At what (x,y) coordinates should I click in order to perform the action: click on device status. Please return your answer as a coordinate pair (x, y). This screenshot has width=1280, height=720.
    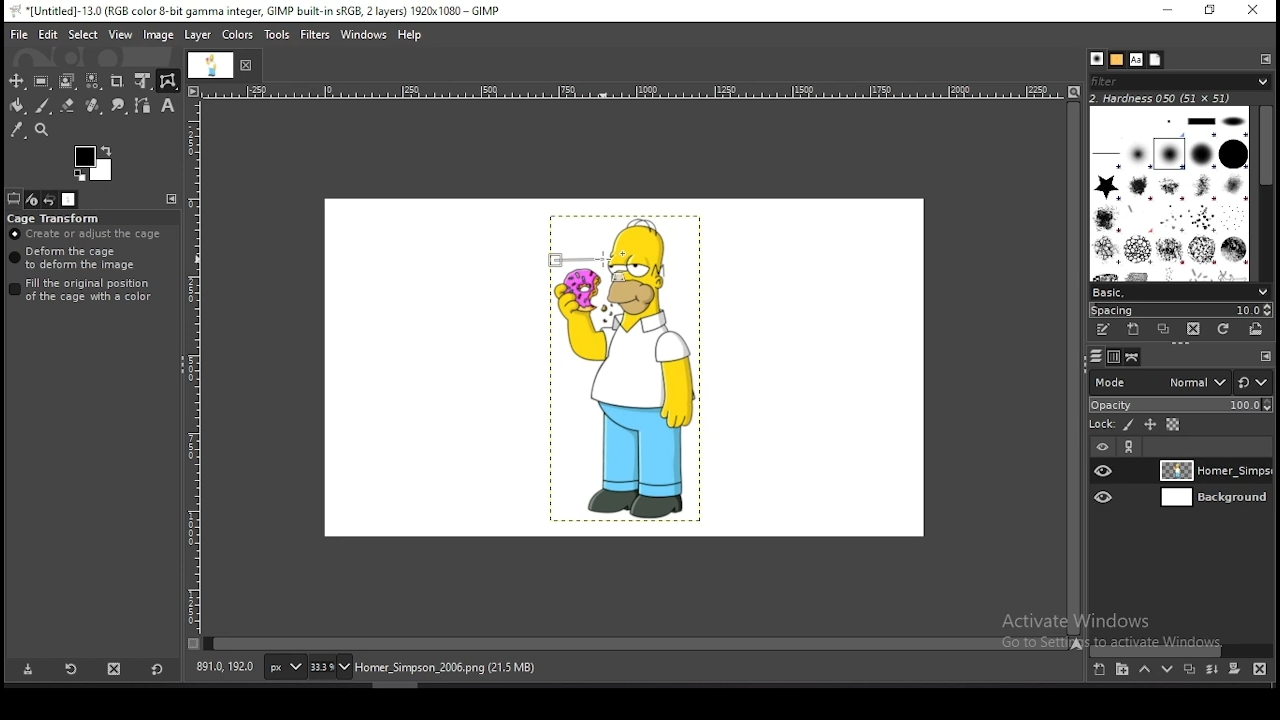
    Looking at the image, I should click on (31, 199).